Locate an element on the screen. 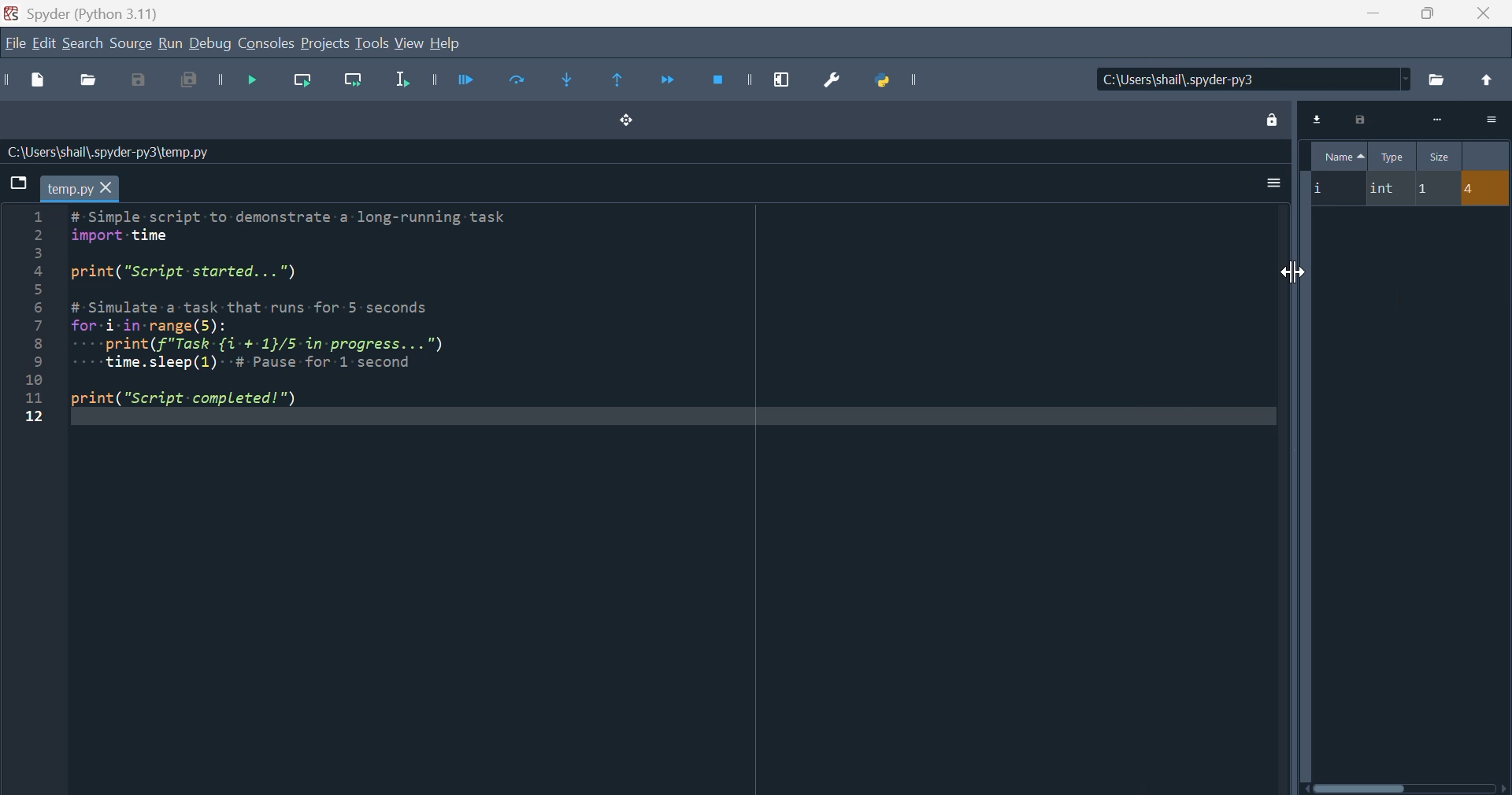 This screenshot has height=795, width=1512. temp.py is located at coordinates (80, 188).